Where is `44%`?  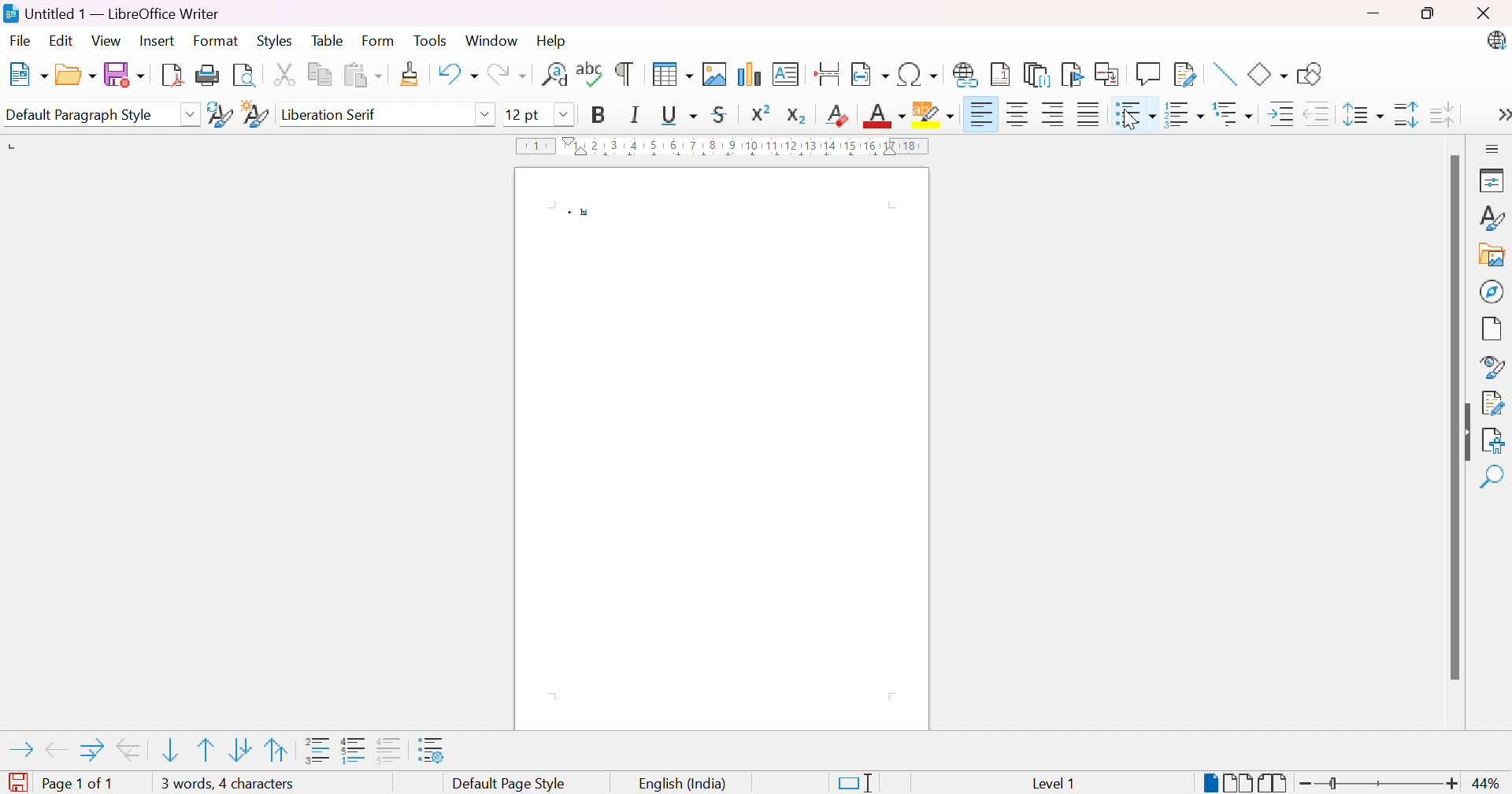 44% is located at coordinates (1490, 785).